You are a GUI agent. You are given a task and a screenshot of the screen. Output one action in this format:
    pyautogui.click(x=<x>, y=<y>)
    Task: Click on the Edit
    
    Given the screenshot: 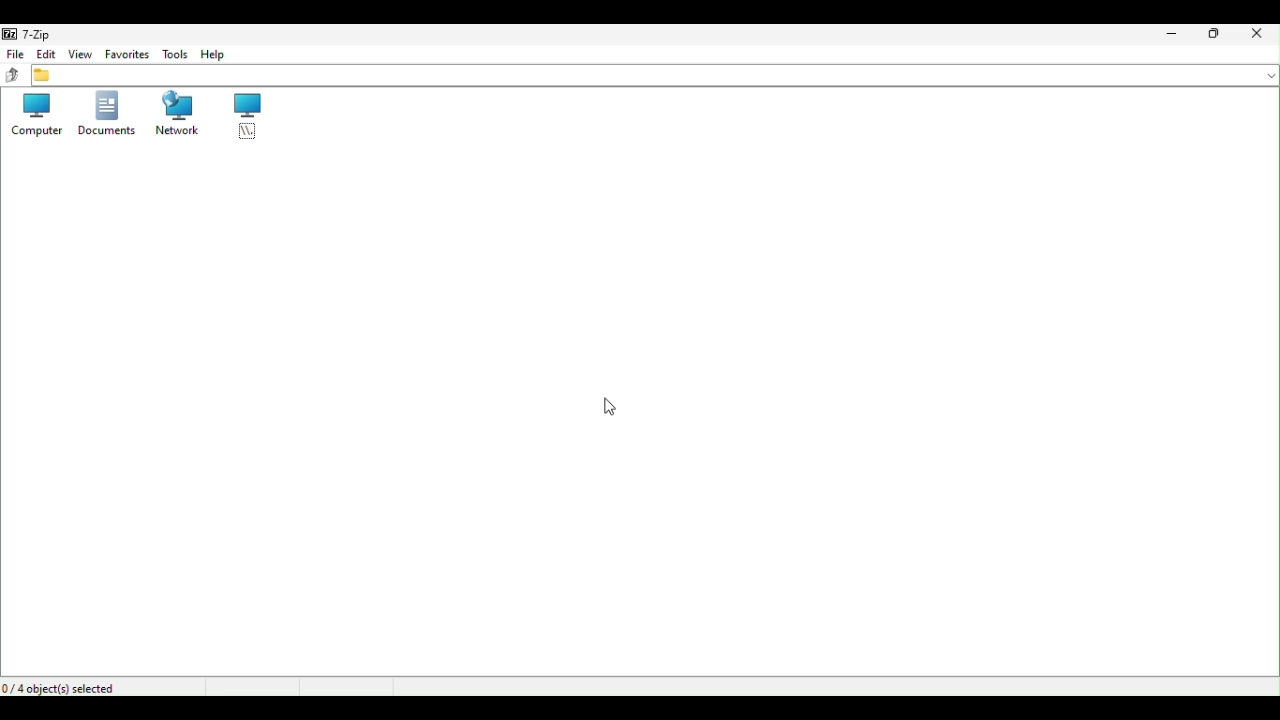 What is the action you would take?
    pyautogui.click(x=47, y=52)
    